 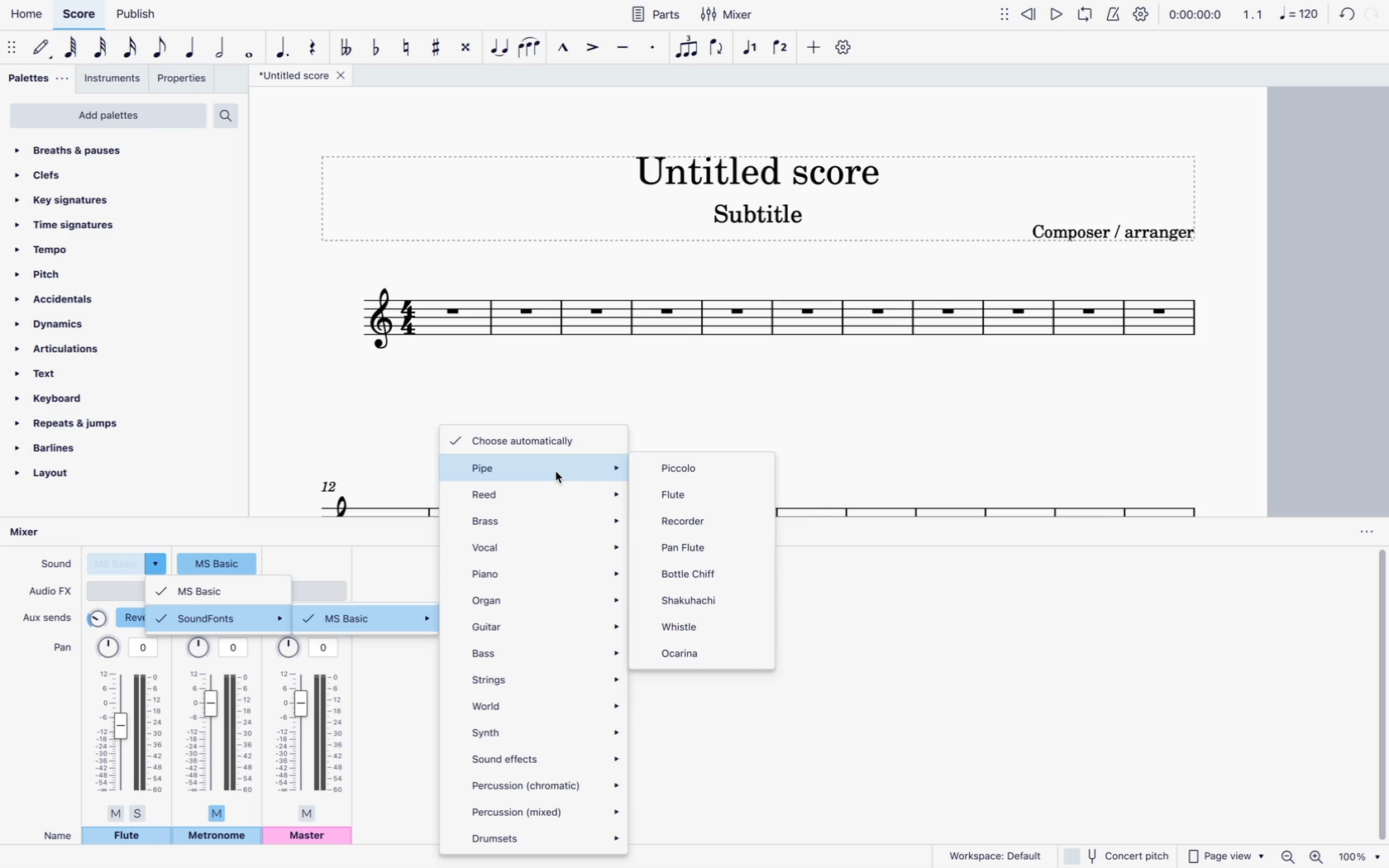 I want to click on piccolo, so click(x=710, y=469).